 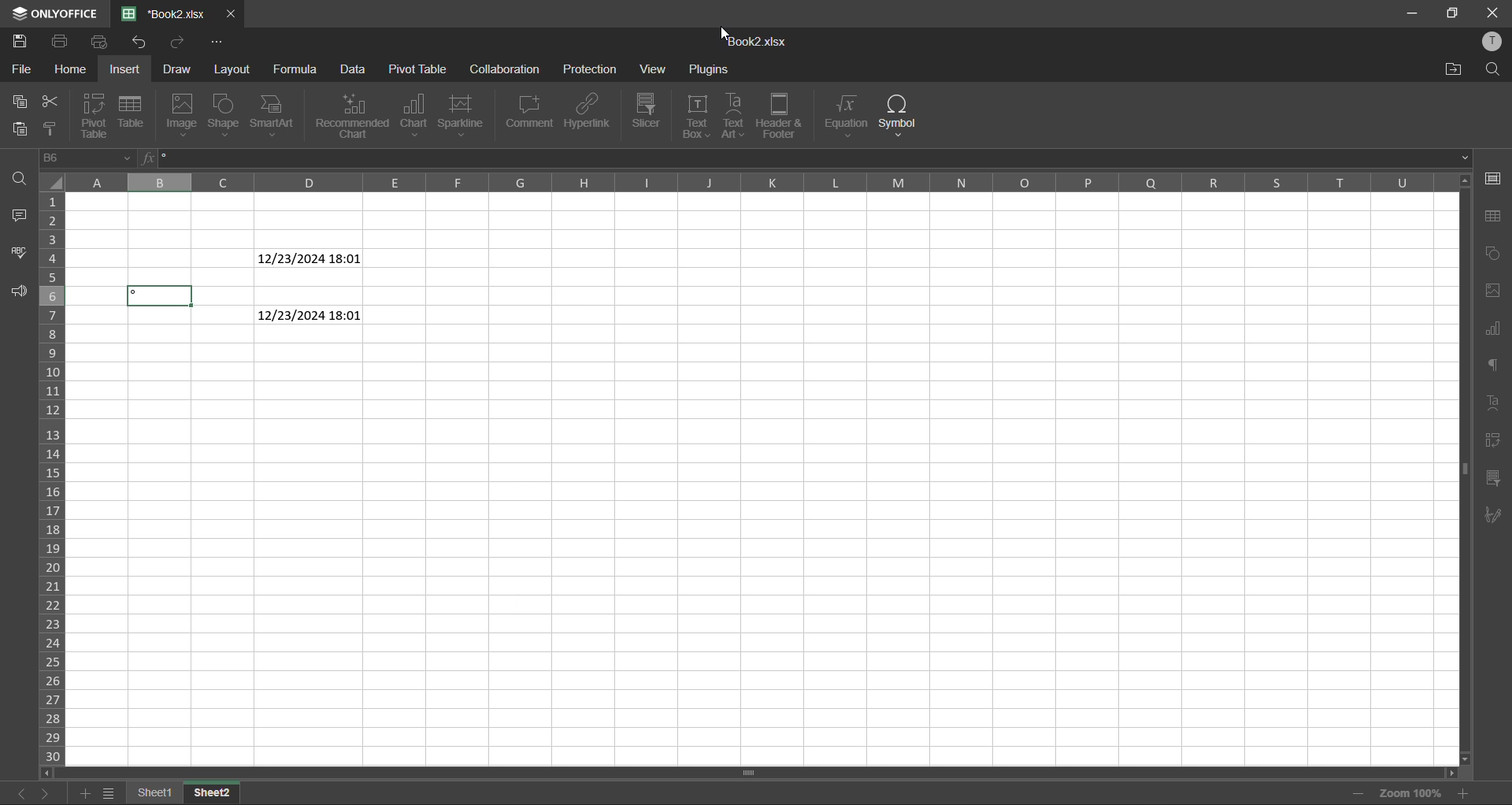 What do you see at coordinates (131, 110) in the screenshot?
I see `table` at bounding box center [131, 110].